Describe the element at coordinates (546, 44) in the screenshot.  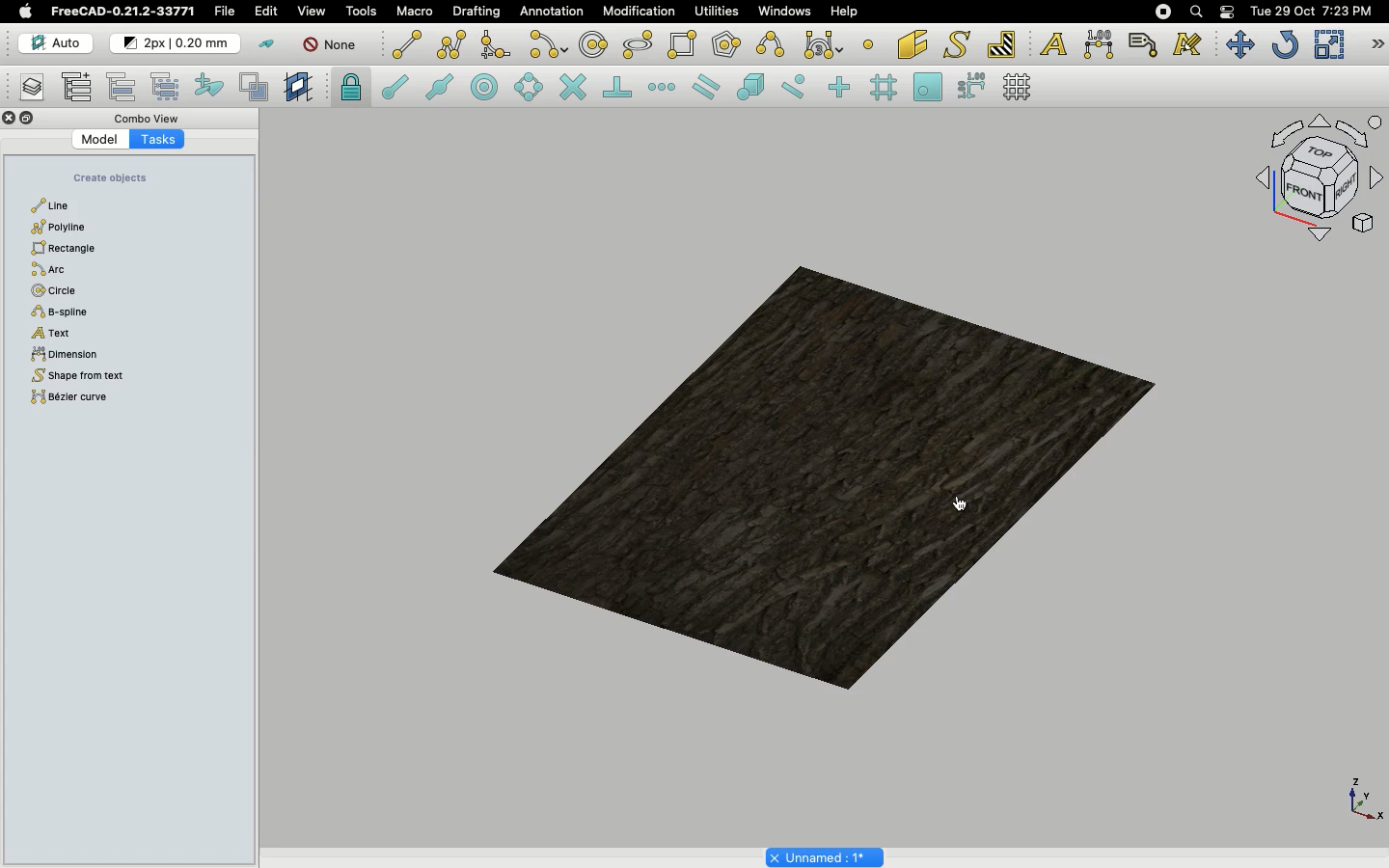
I see `Arc tools` at that location.